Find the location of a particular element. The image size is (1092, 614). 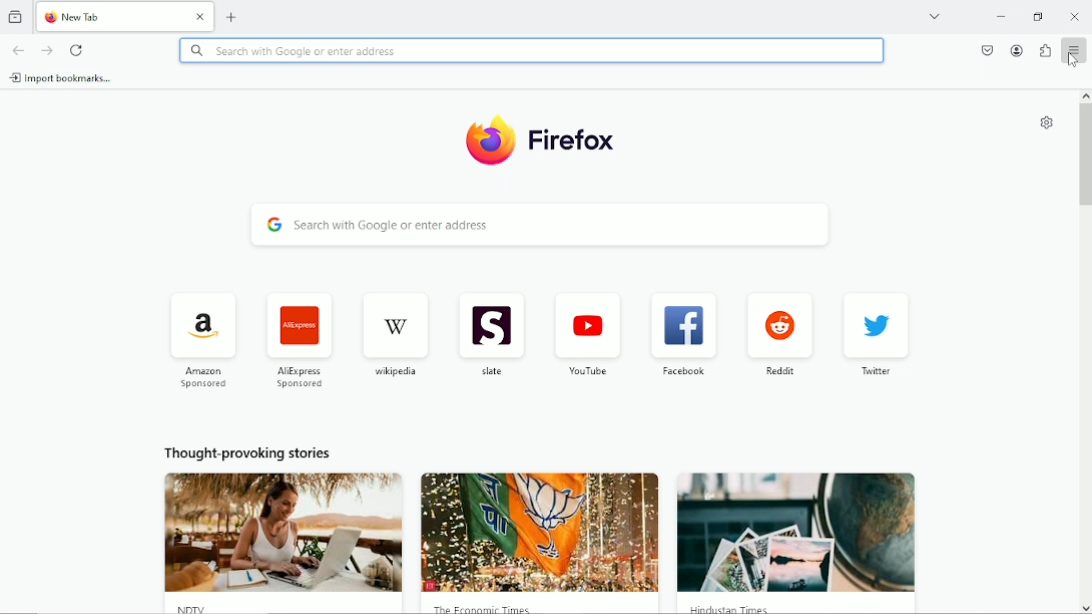

icon is located at coordinates (875, 325).